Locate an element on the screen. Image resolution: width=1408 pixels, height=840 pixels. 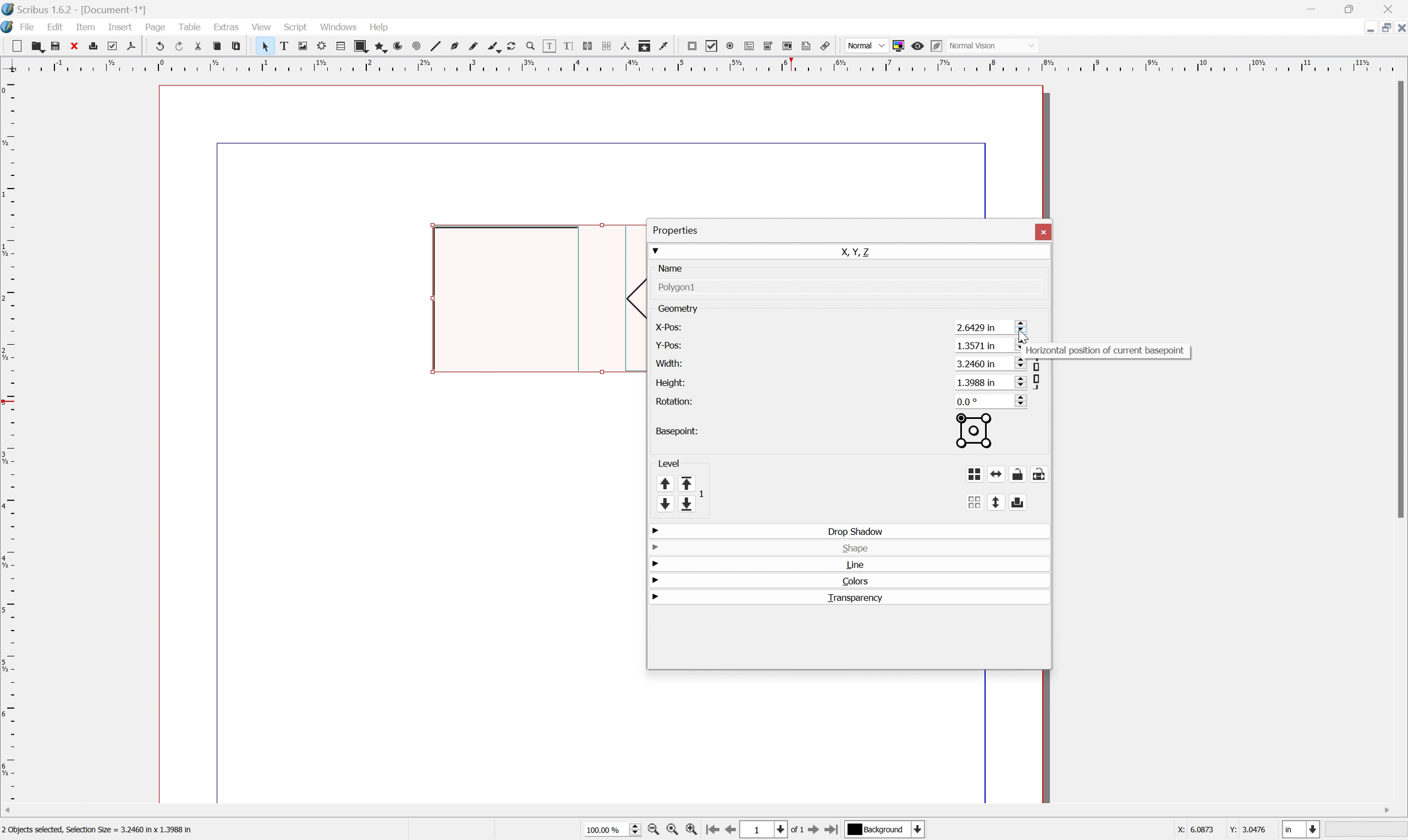
pdf push button is located at coordinates (691, 46).